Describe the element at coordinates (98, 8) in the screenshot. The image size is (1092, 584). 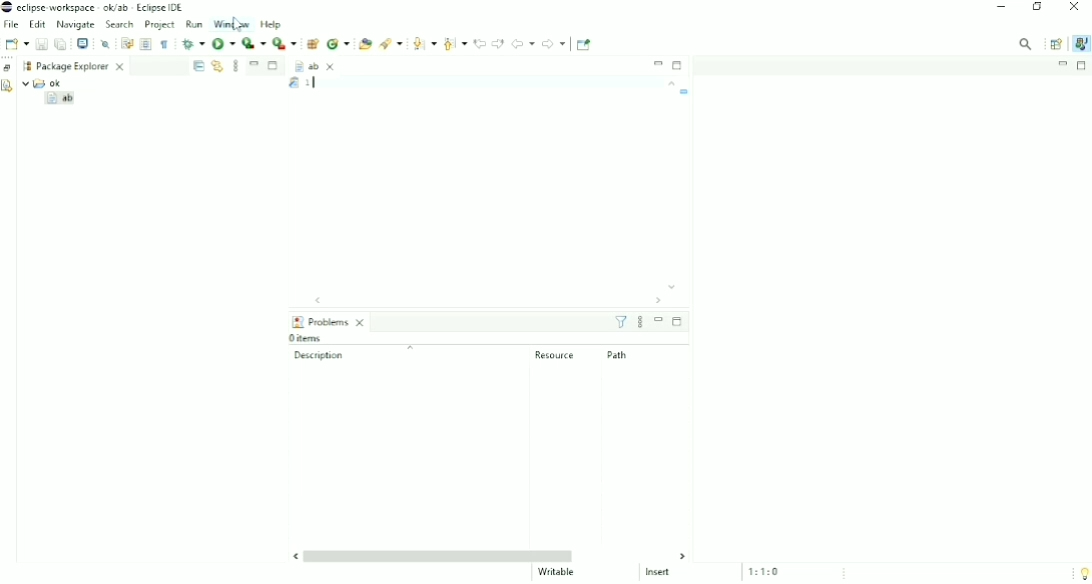
I see `Title` at that location.